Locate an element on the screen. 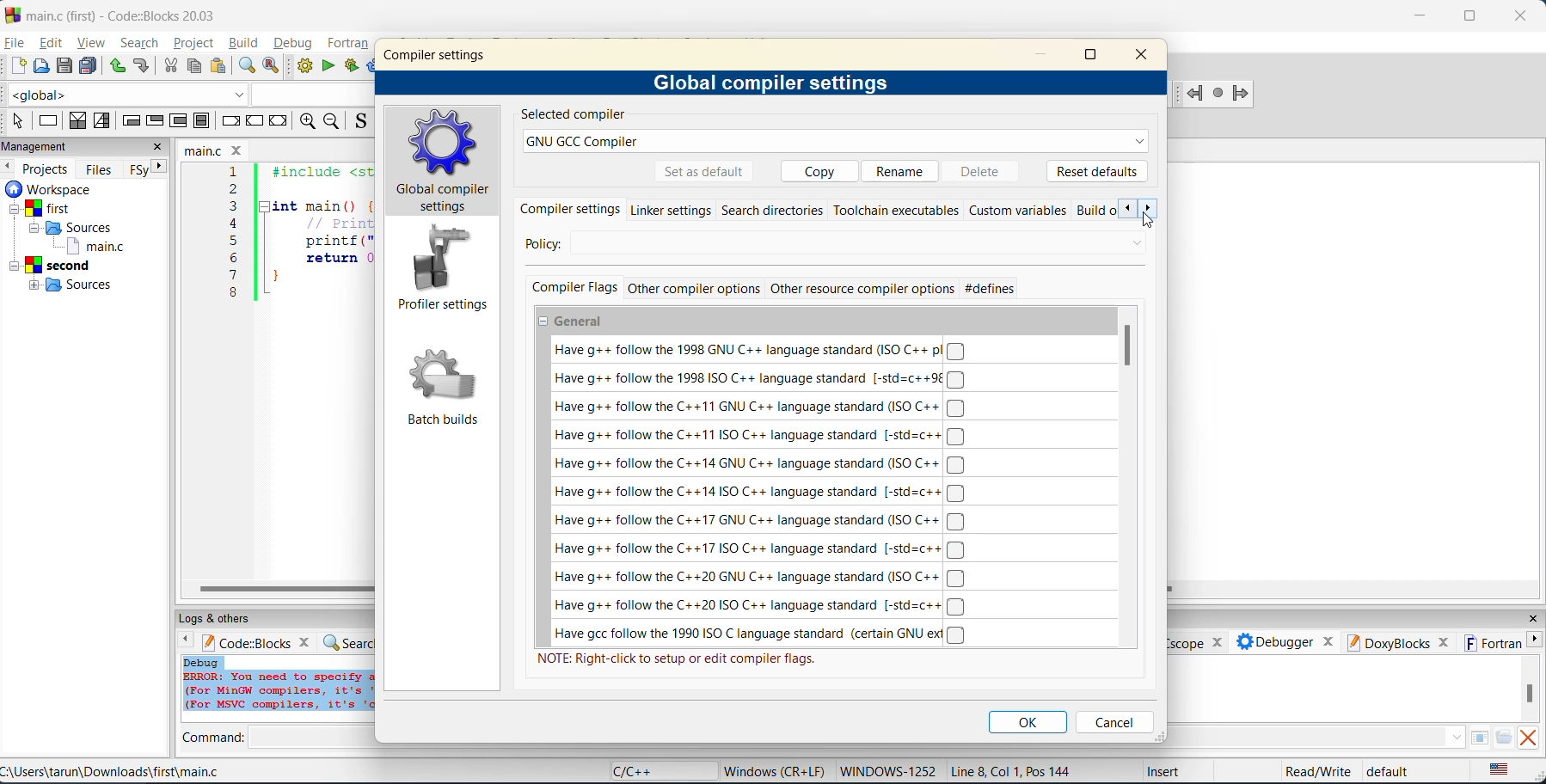  next is located at coordinates (158, 169).